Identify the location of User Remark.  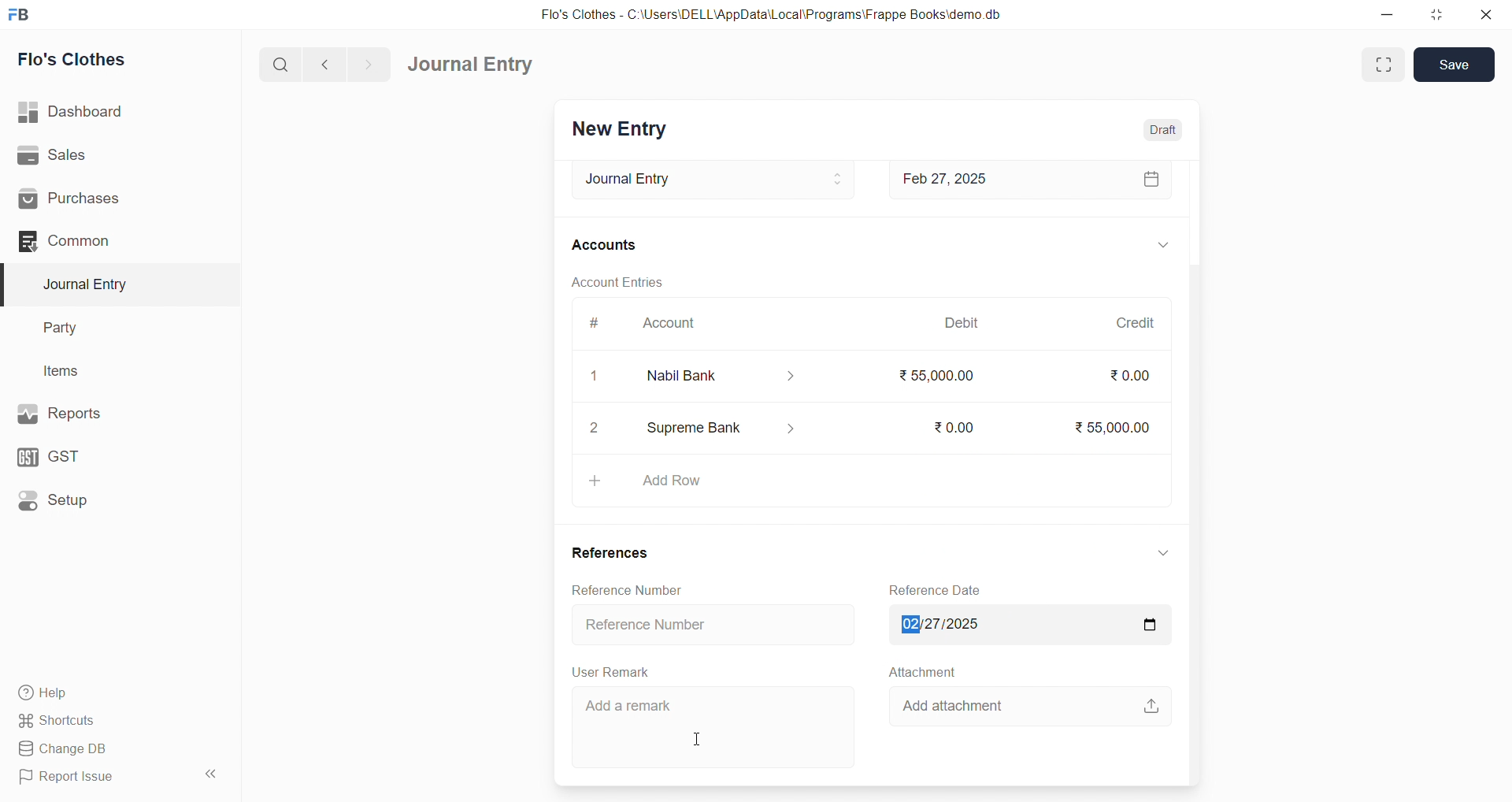
(610, 671).